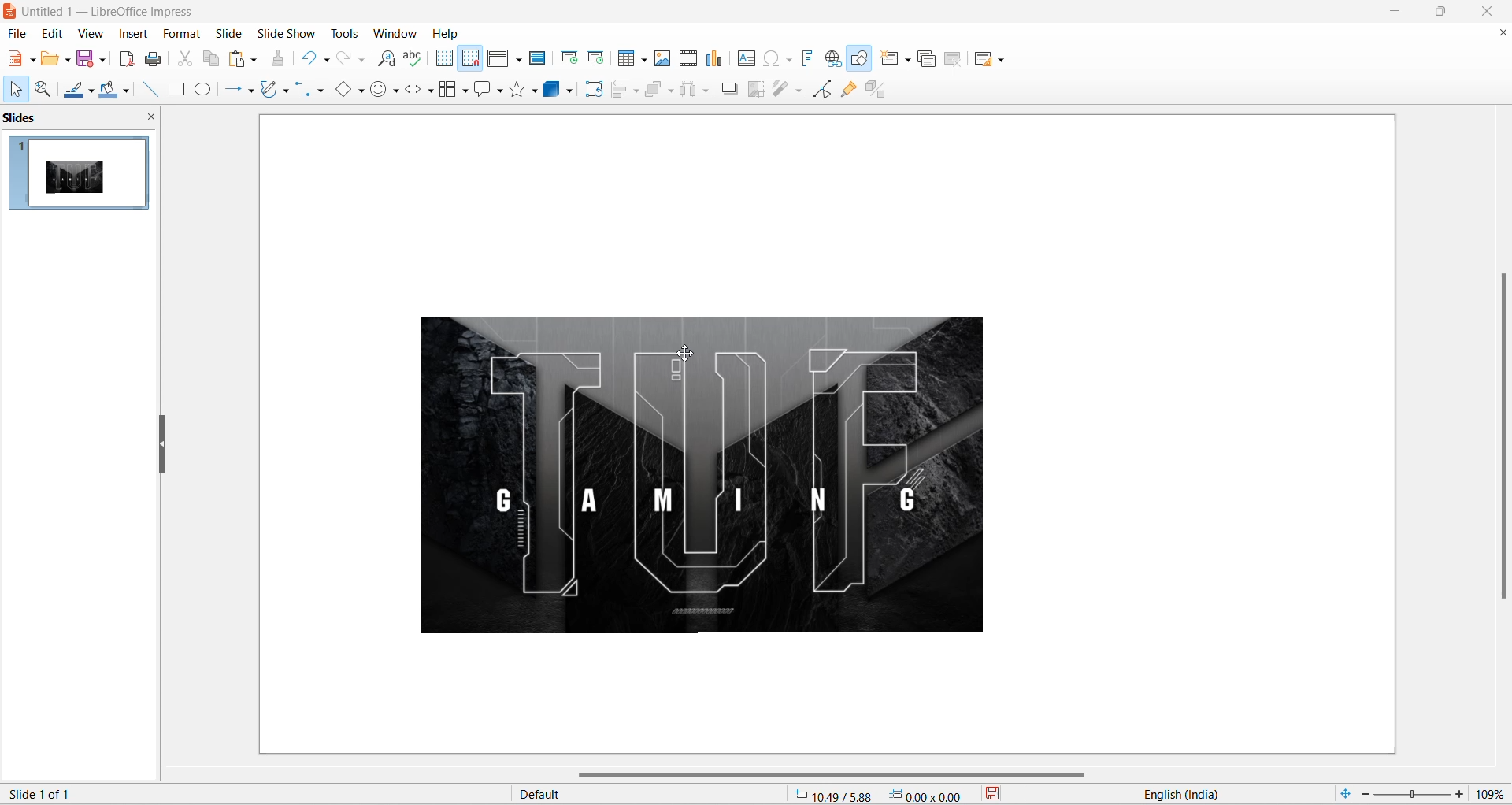  I want to click on undo, so click(309, 57).